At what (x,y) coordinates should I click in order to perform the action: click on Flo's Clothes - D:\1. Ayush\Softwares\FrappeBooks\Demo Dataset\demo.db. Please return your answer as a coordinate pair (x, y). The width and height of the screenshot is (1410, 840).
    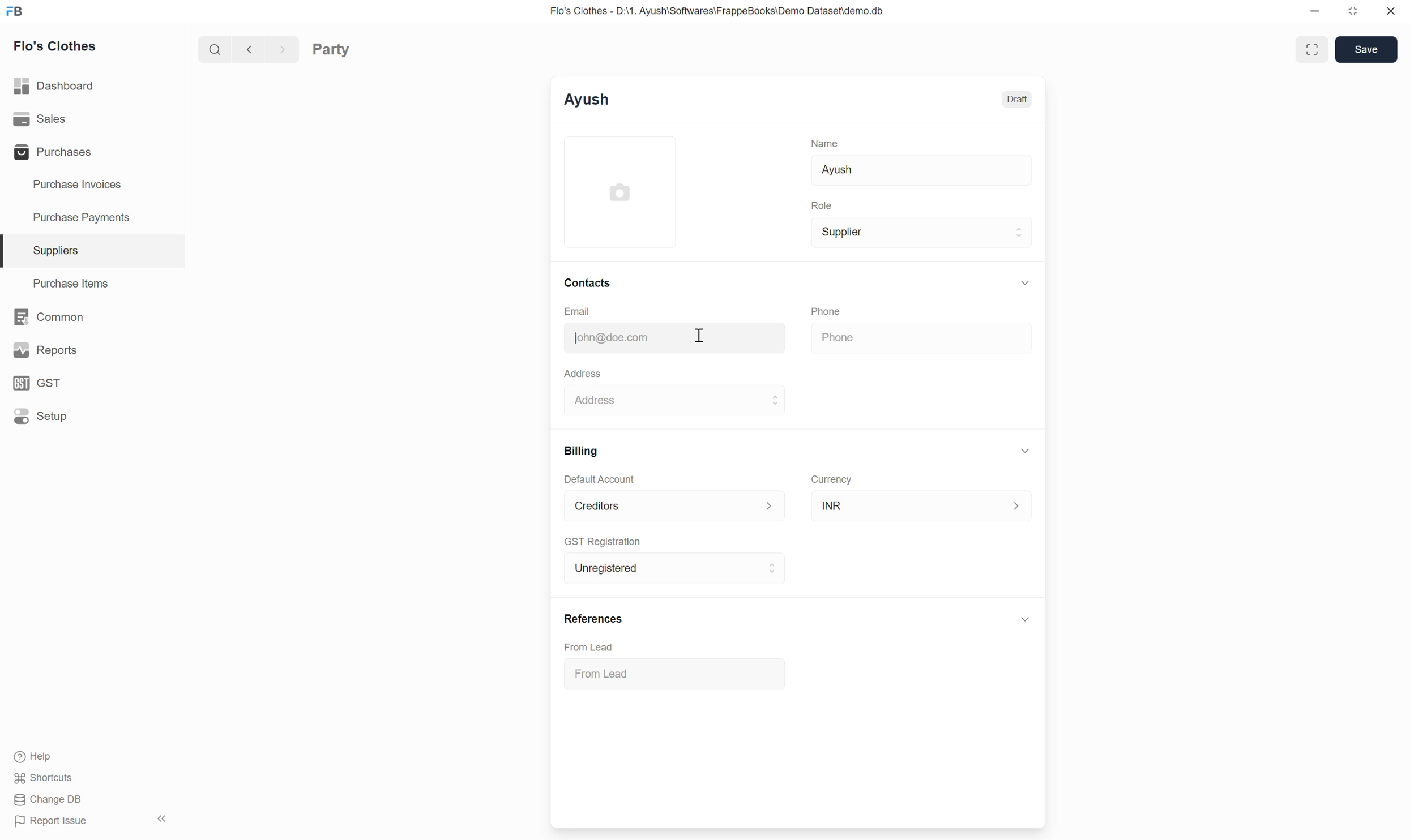
    Looking at the image, I should click on (717, 11).